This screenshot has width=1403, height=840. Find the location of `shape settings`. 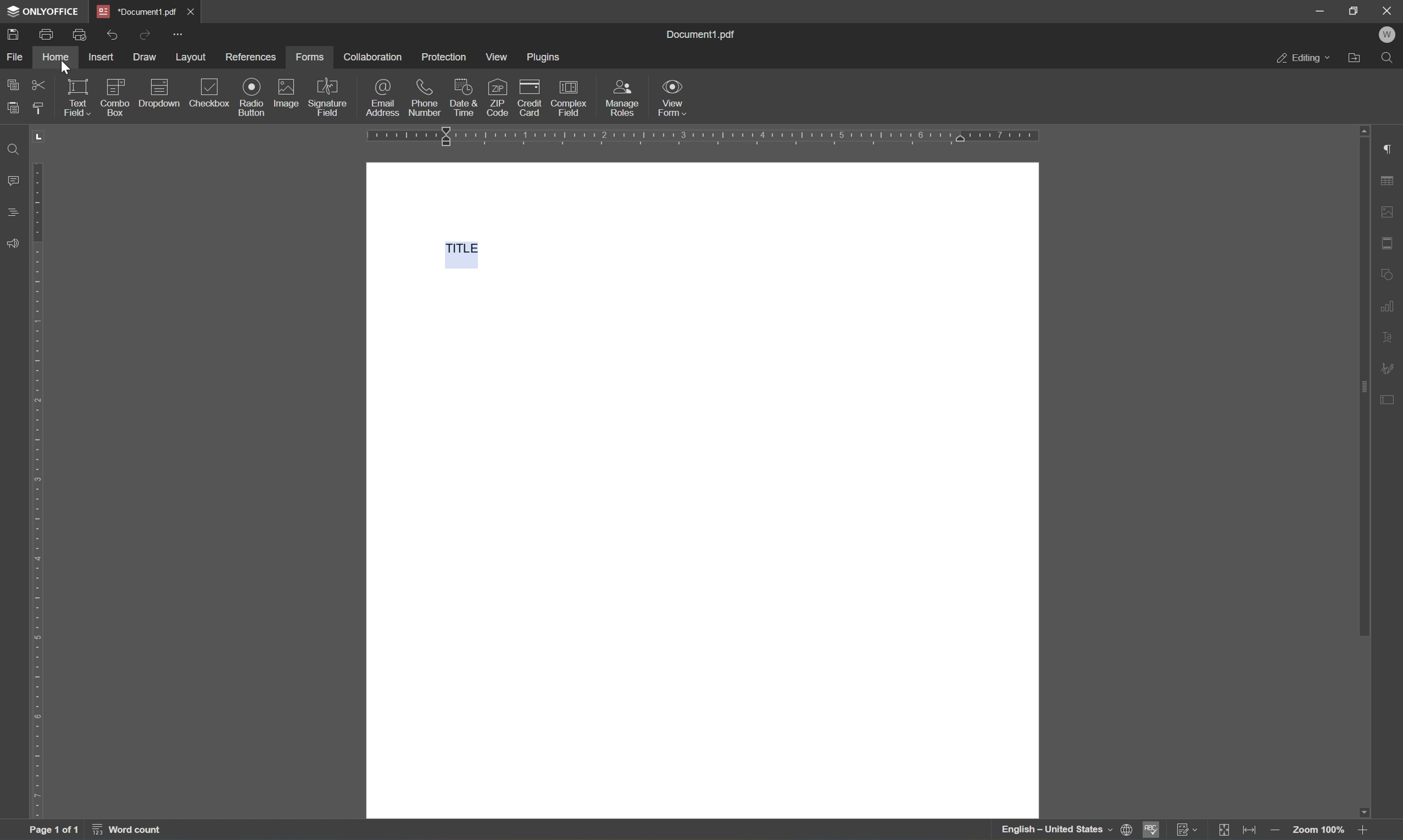

shape settings is located at coordinates (1390, 273).